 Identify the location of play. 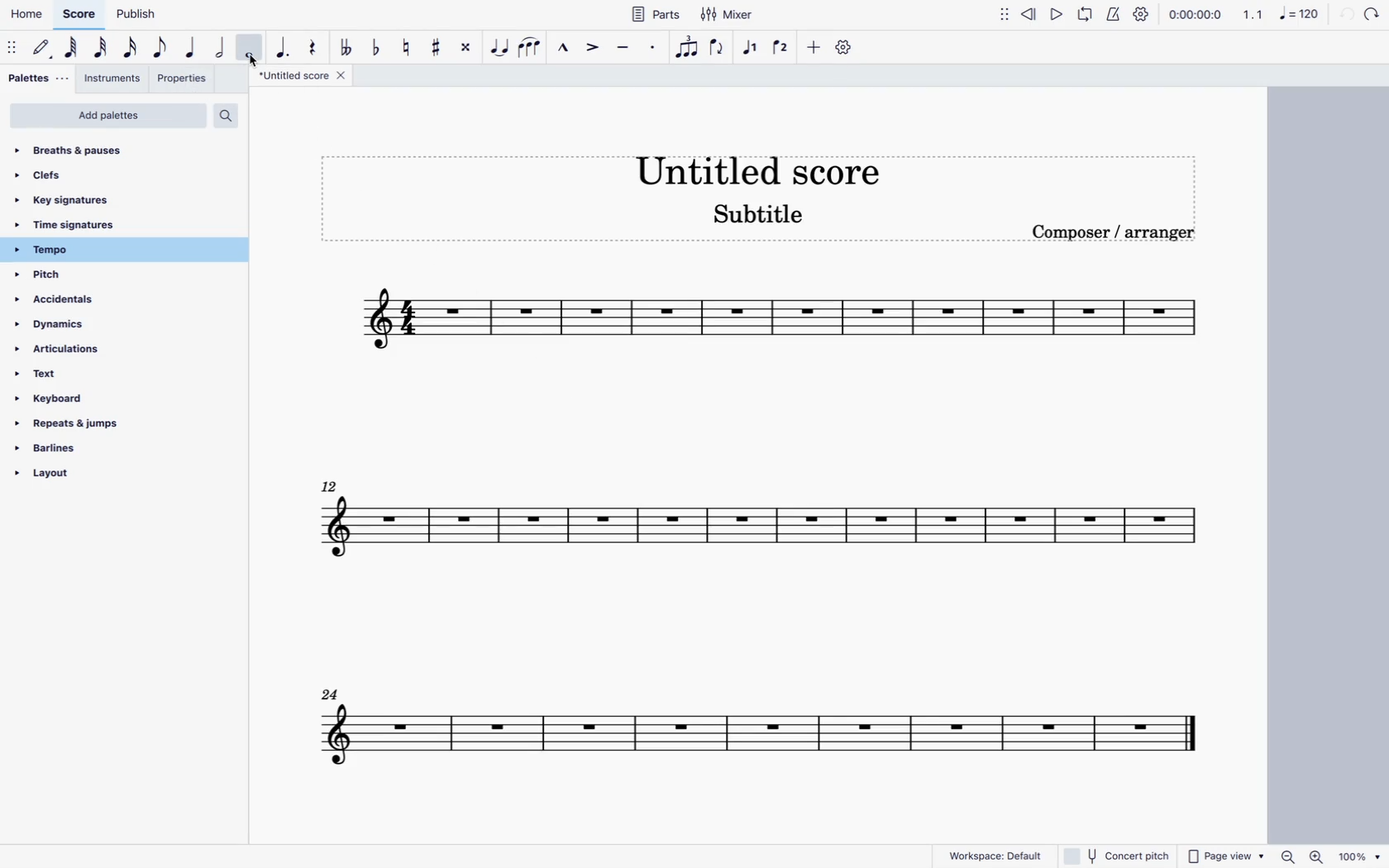
(1055, 14).